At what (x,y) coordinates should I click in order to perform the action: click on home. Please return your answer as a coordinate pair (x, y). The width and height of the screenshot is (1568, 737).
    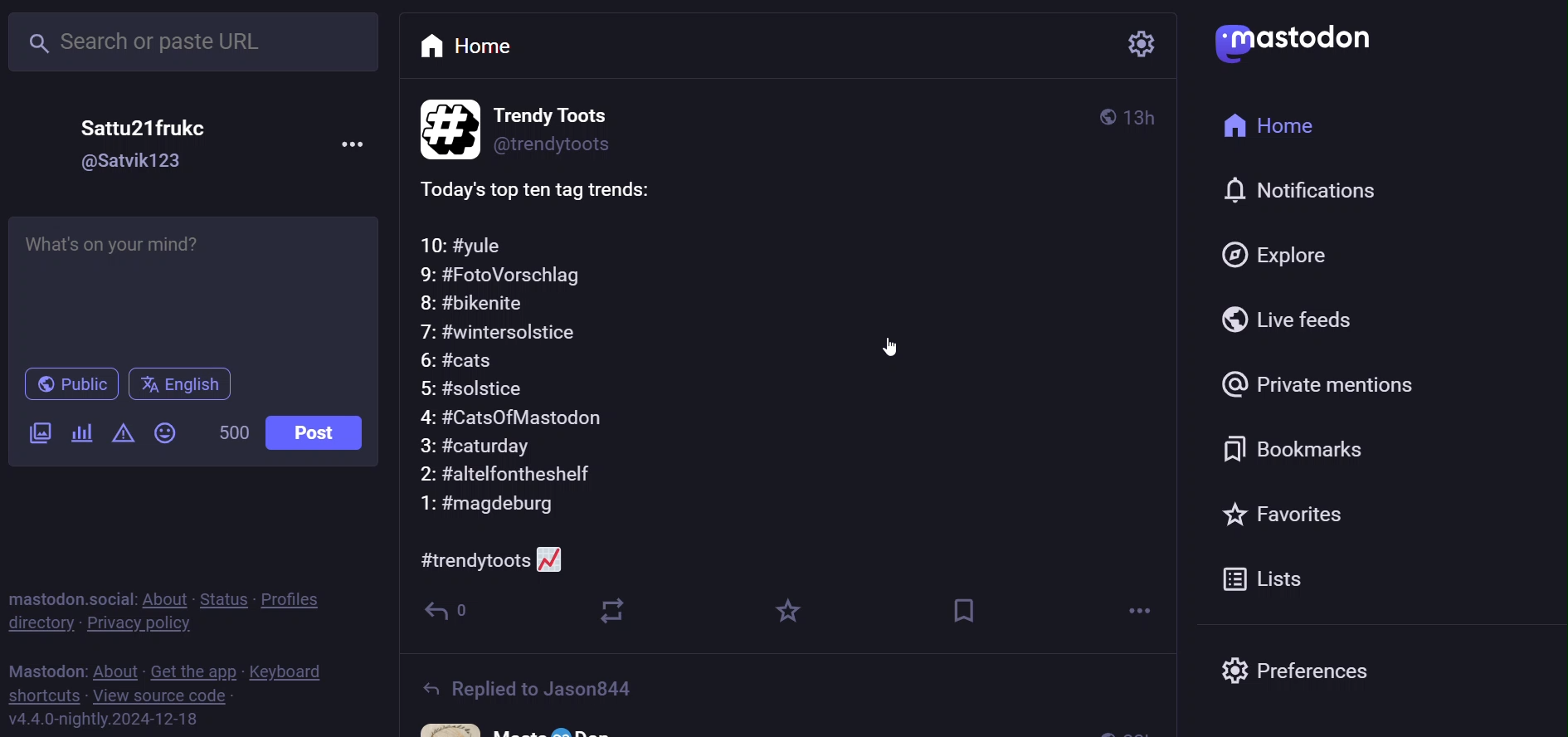
    Looking at the image, I should click on (464, 47).